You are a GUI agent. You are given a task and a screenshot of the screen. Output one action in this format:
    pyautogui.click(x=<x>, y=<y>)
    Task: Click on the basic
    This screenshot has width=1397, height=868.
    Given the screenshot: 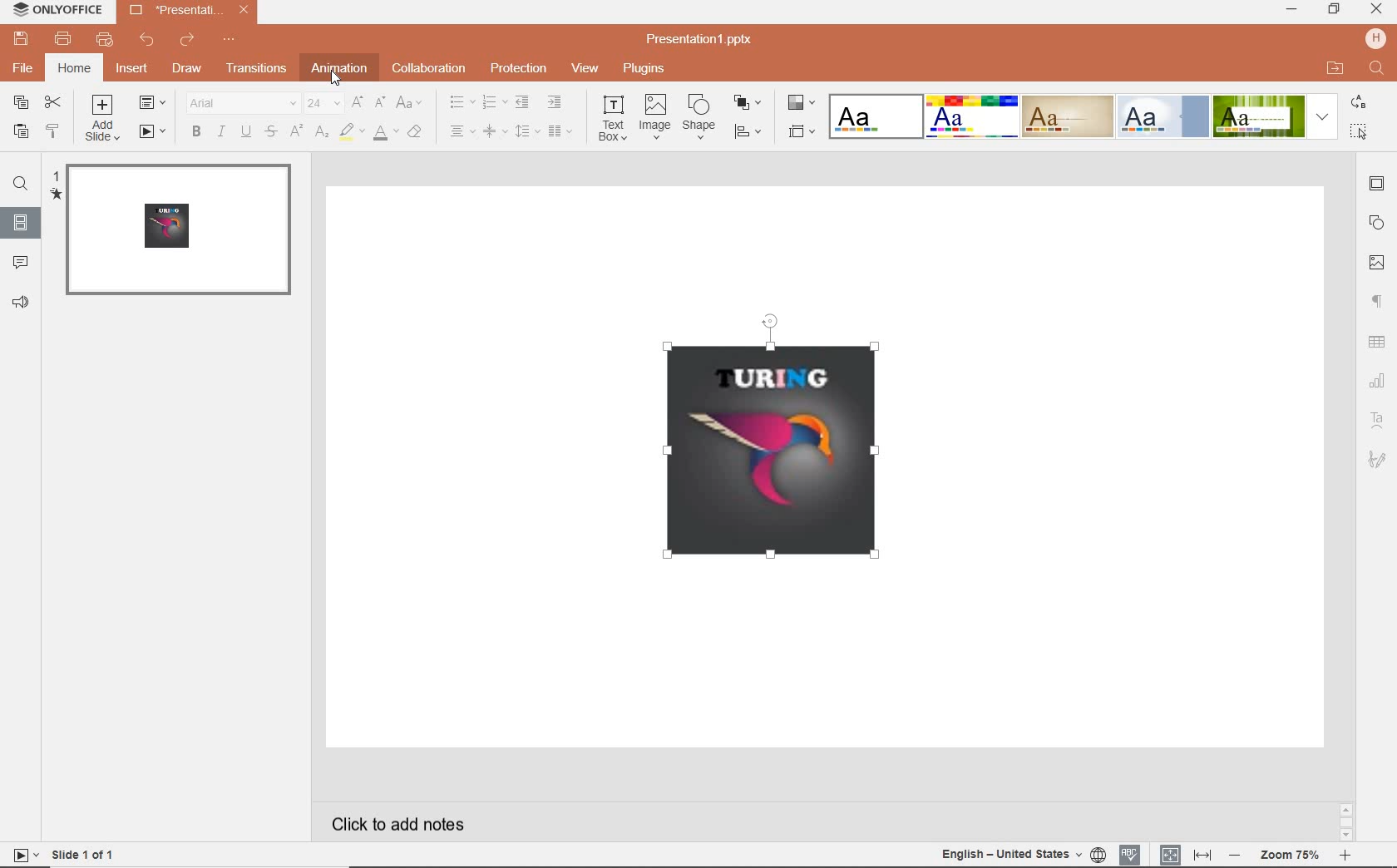 What is the action you would take?
    pyautogui.click(x=970, y=116)
    